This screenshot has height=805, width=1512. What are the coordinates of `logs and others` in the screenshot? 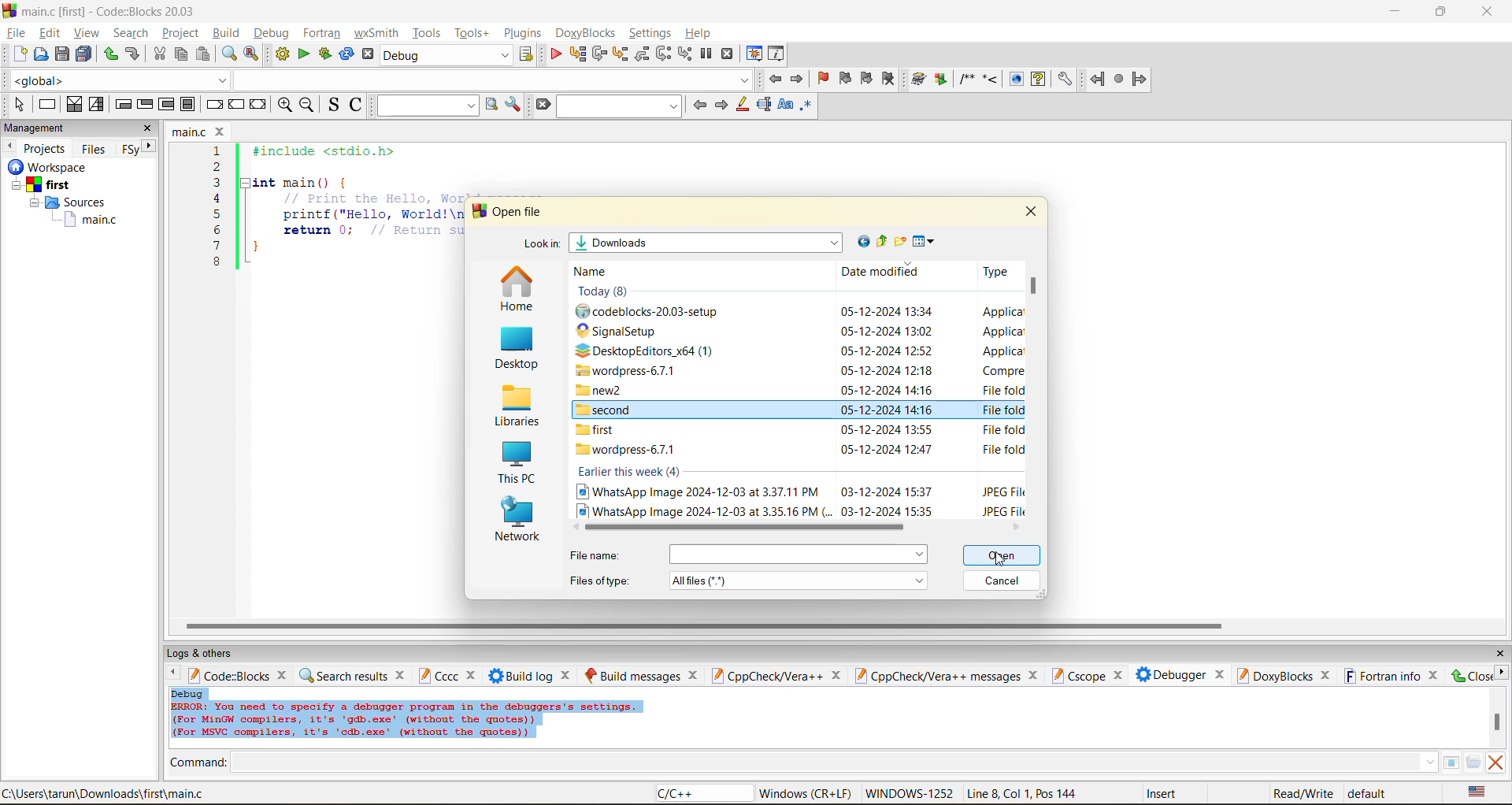 It's located at (210, 653).